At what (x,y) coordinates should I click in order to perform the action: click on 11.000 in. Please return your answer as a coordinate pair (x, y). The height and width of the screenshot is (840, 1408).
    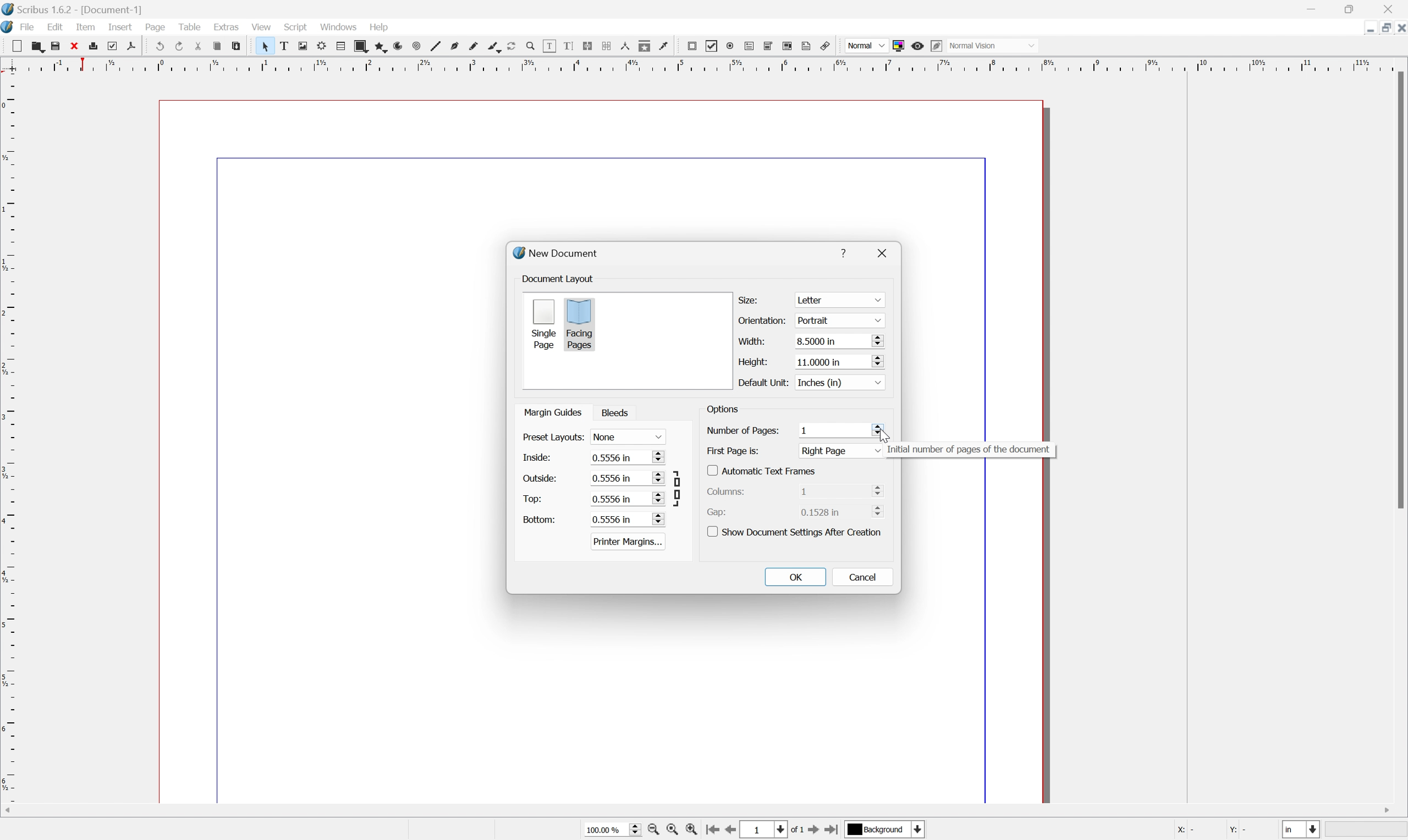
    Looking at the image, I should click on (838, 361).